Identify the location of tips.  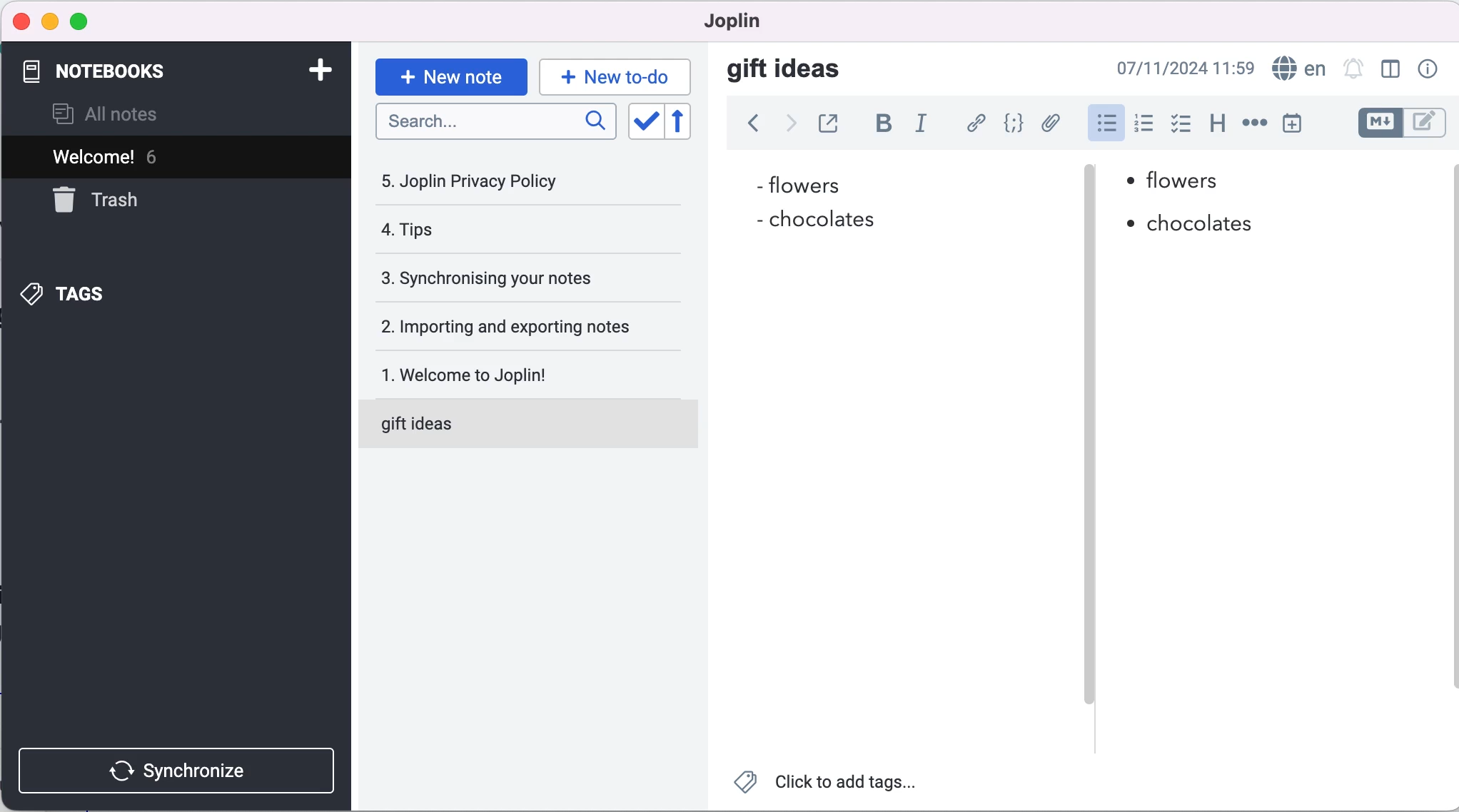
(490, 231).